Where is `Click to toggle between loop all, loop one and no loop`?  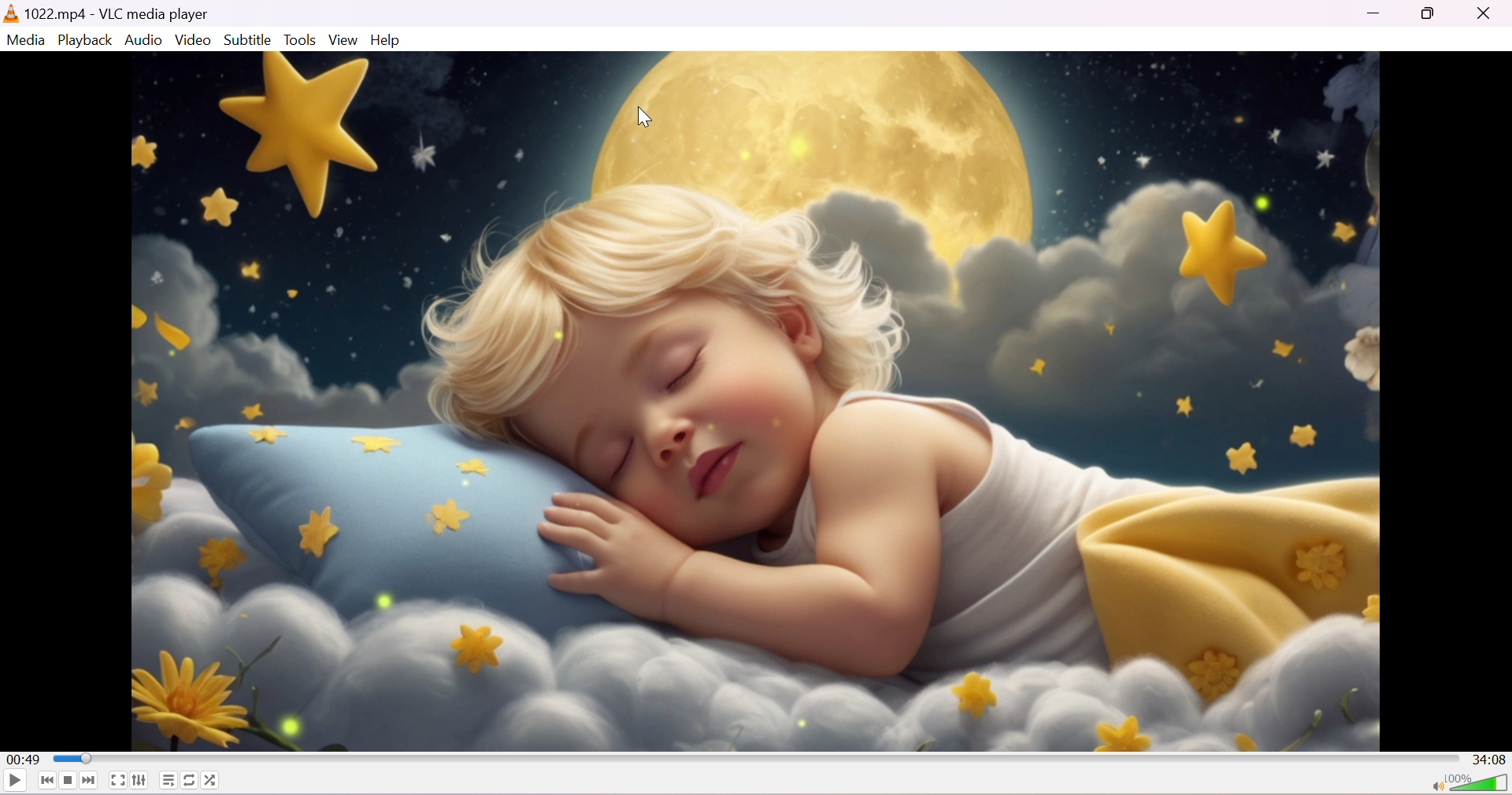
Click to toggle between loop all, loop one and no loop is located at coordinates (190, 781).